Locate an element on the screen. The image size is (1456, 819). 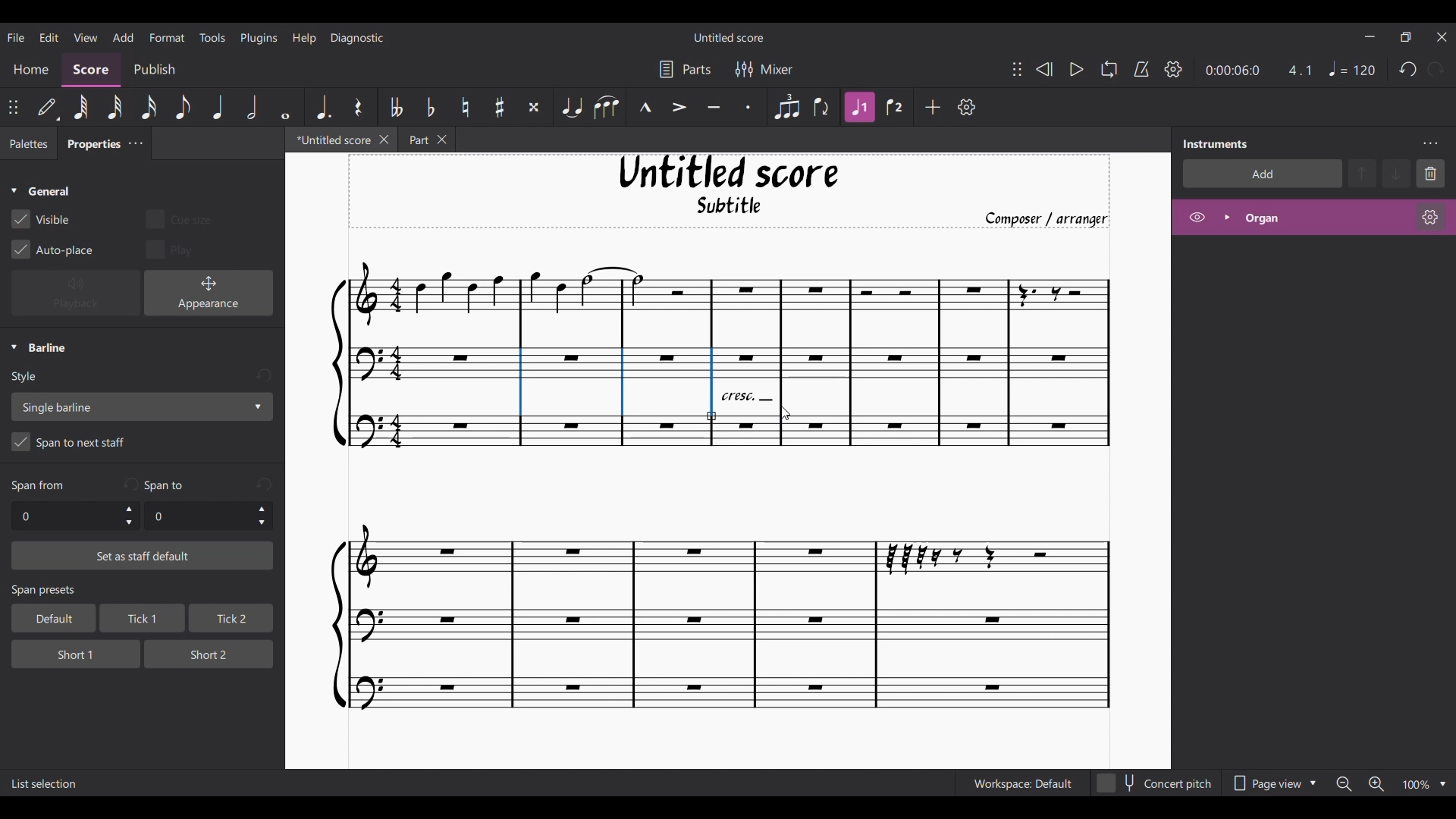
Palette tab is located at coordinates (27, 144).